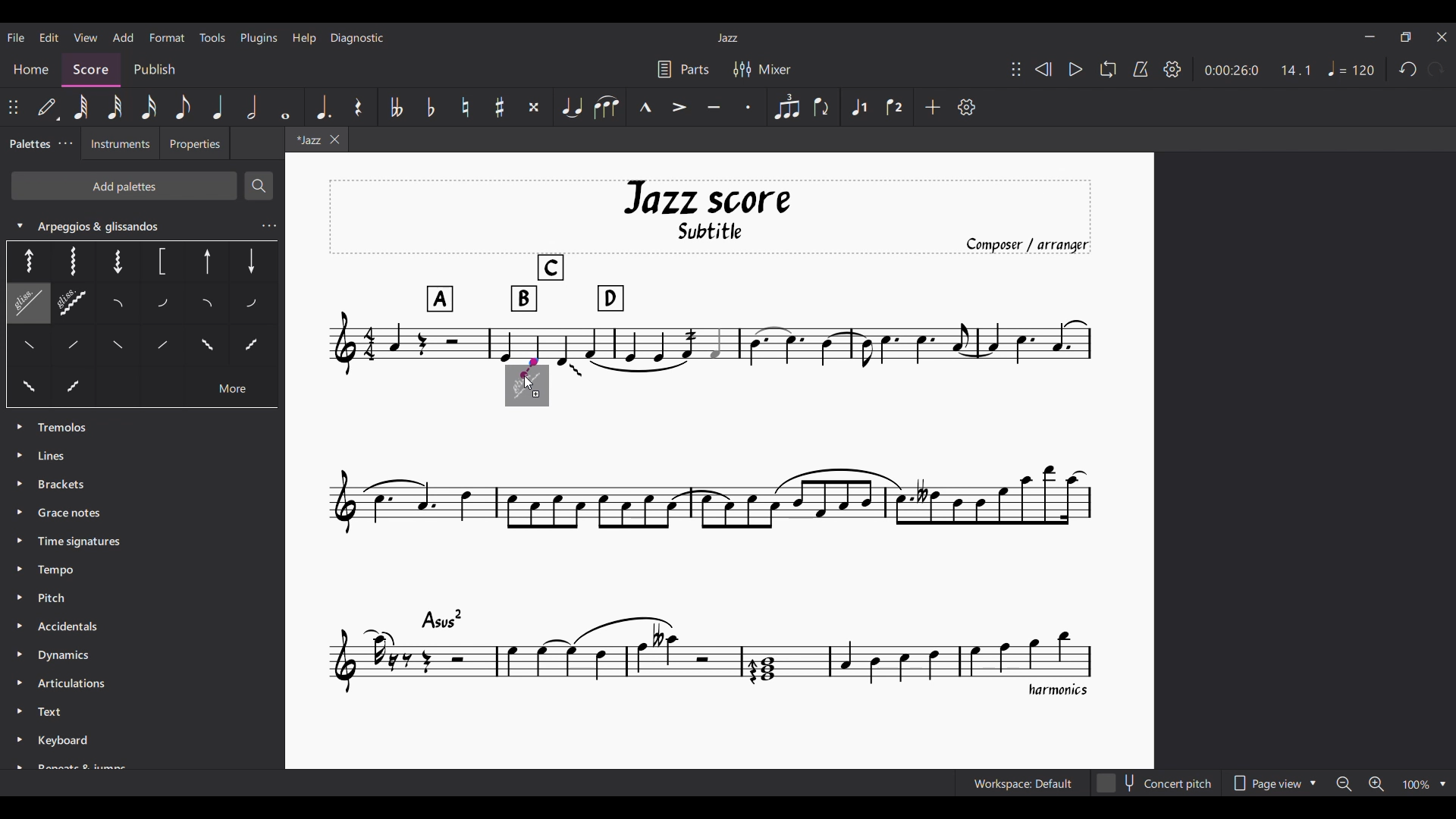 The height and width of the screenshot is (819, 1456). I want to click on Change position, so click(14, 107).